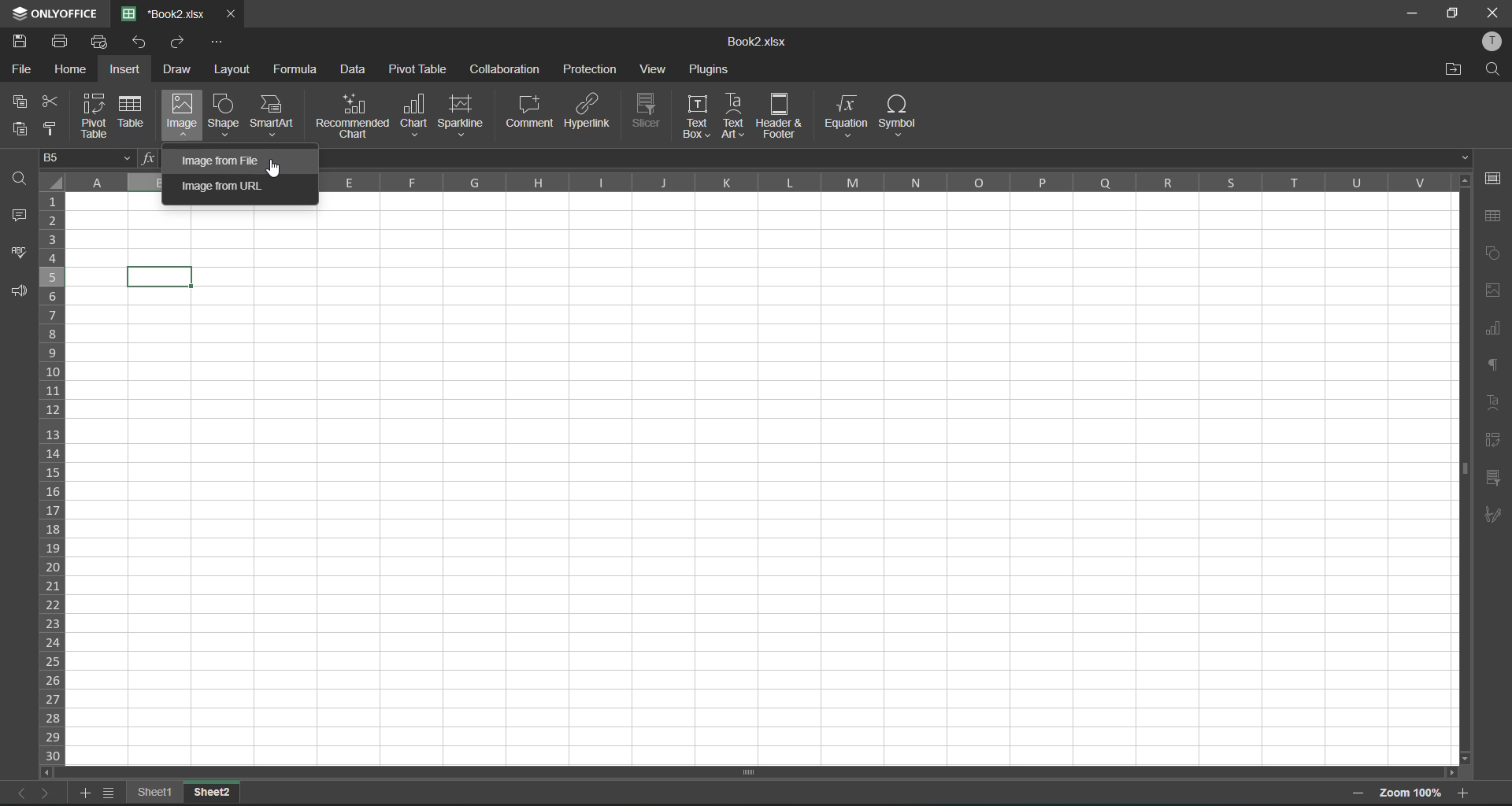  I want to click on formula, so click(302, 72).